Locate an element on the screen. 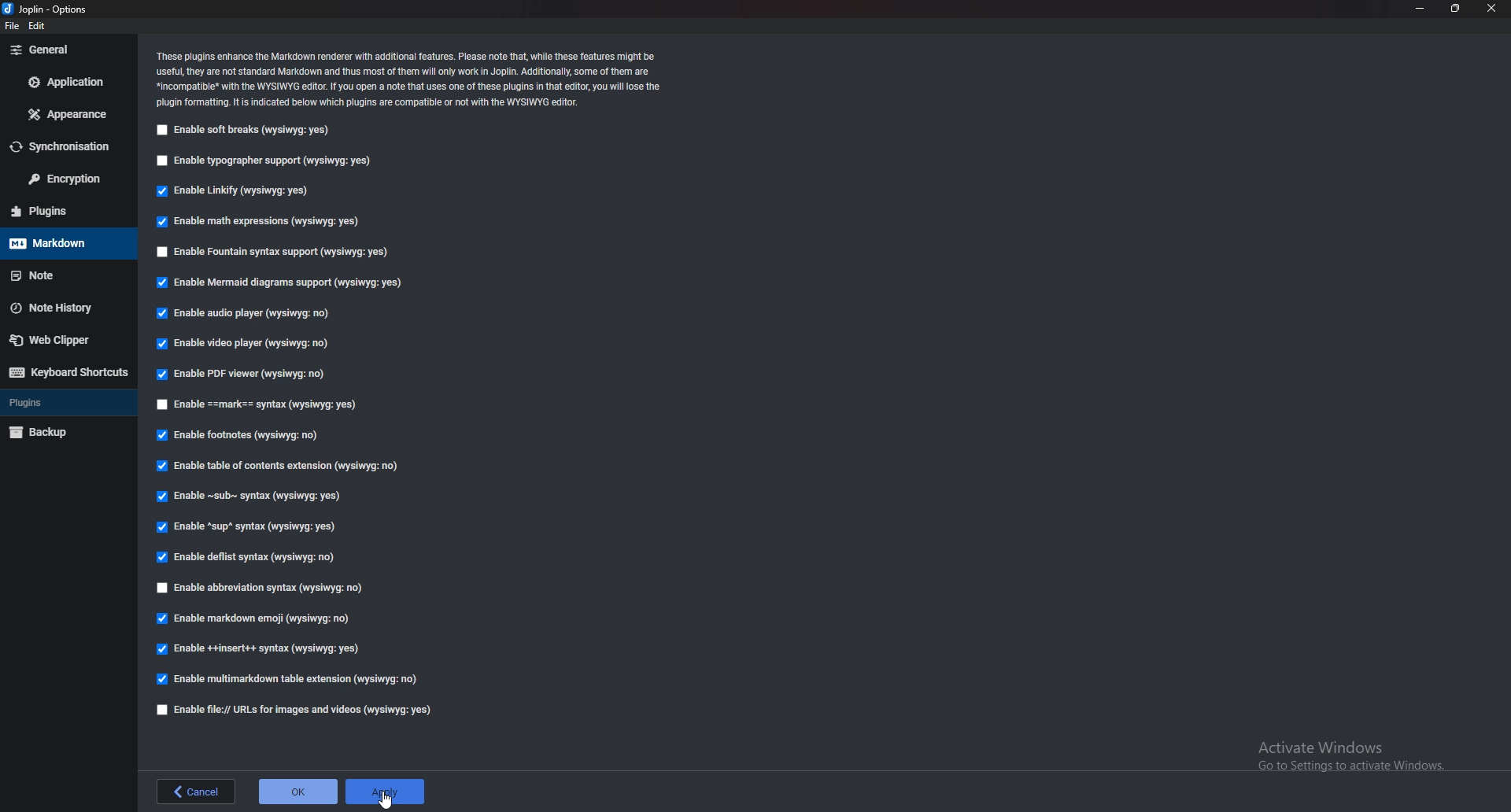 This screenshot has height=812, width=1511. Keyboard shortcuts is located at coordinates (68, 372).